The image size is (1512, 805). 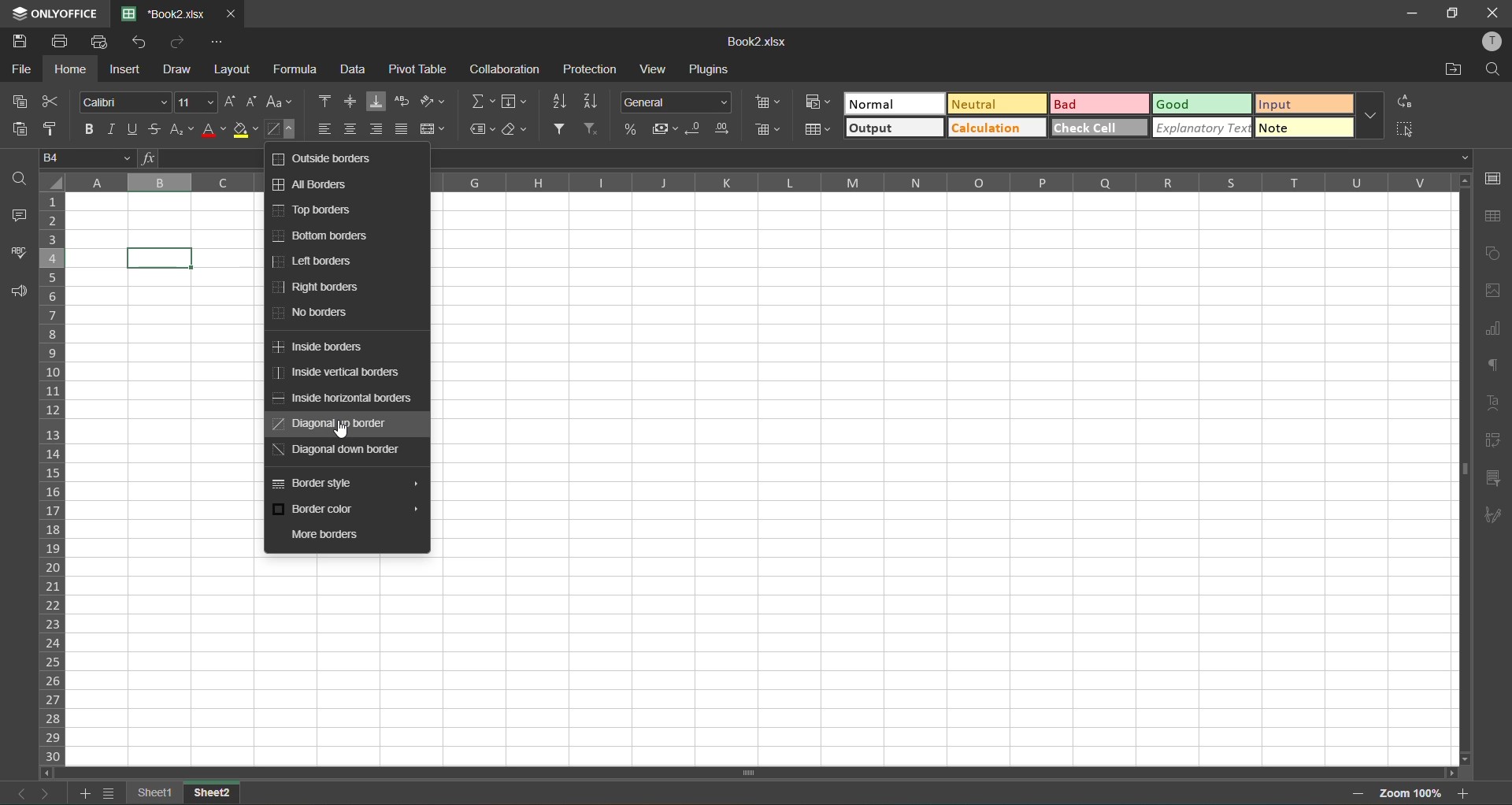 I want to click on MINIMISE, so click(x=1410, y=15).